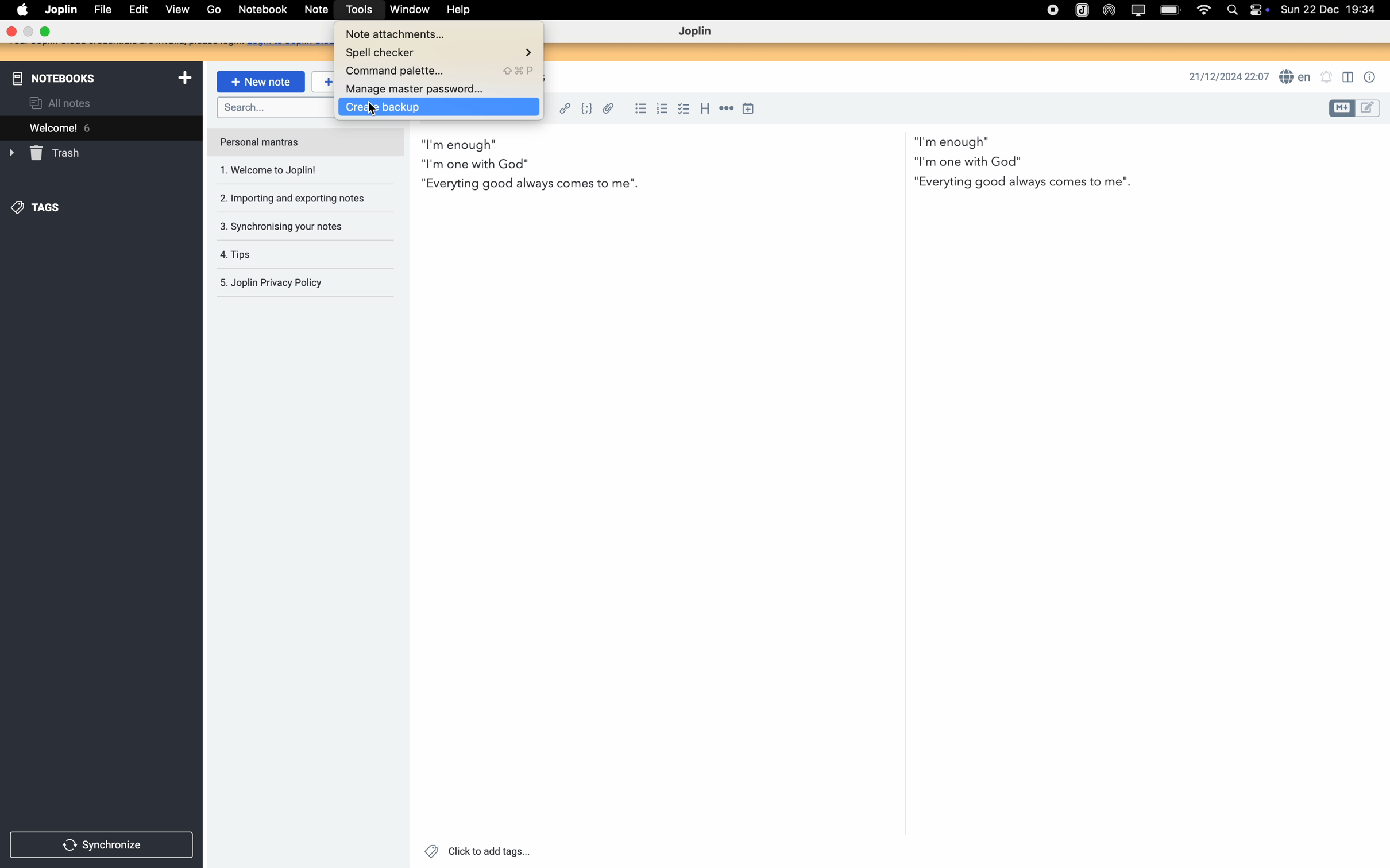 This screenshot has width=1390, height=868. Describe the element at coordinates (404, 11) in the screenshot. I see `window` at that location.